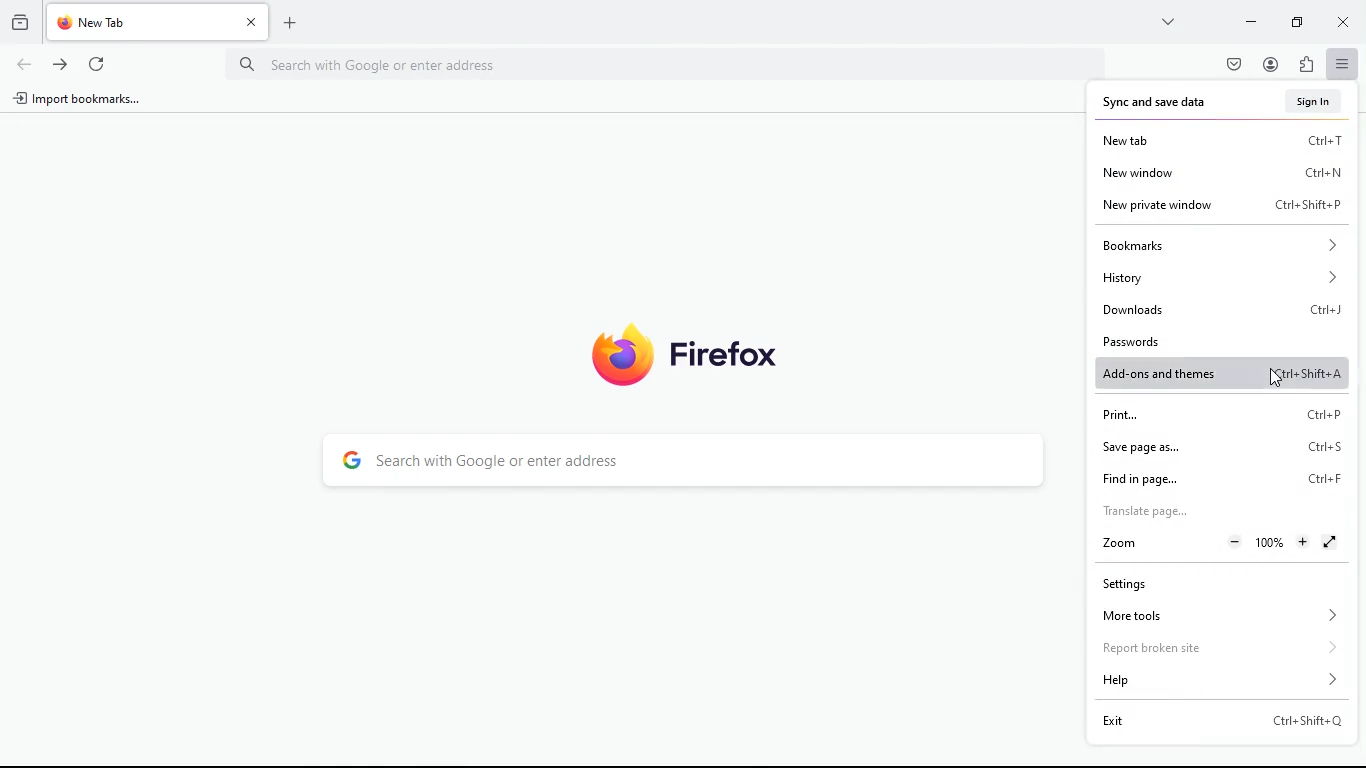 This screenshot has height=768, width=1366. What do you see at coordinates (682, 460) in the screenshot?
I see `search` at bounding box center [682, 460].